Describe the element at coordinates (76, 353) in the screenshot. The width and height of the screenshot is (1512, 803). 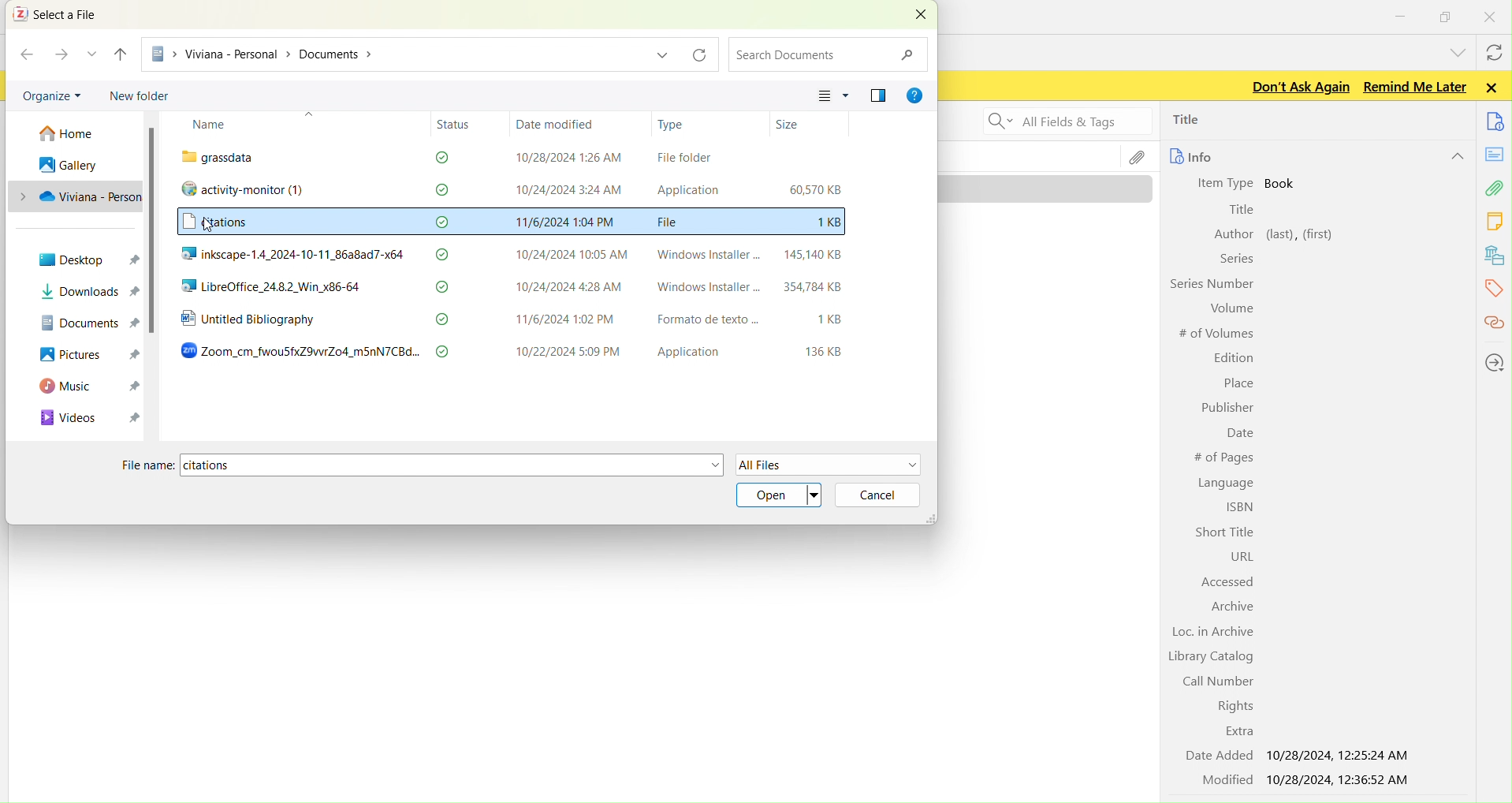
I see `PICTURES` at that location.